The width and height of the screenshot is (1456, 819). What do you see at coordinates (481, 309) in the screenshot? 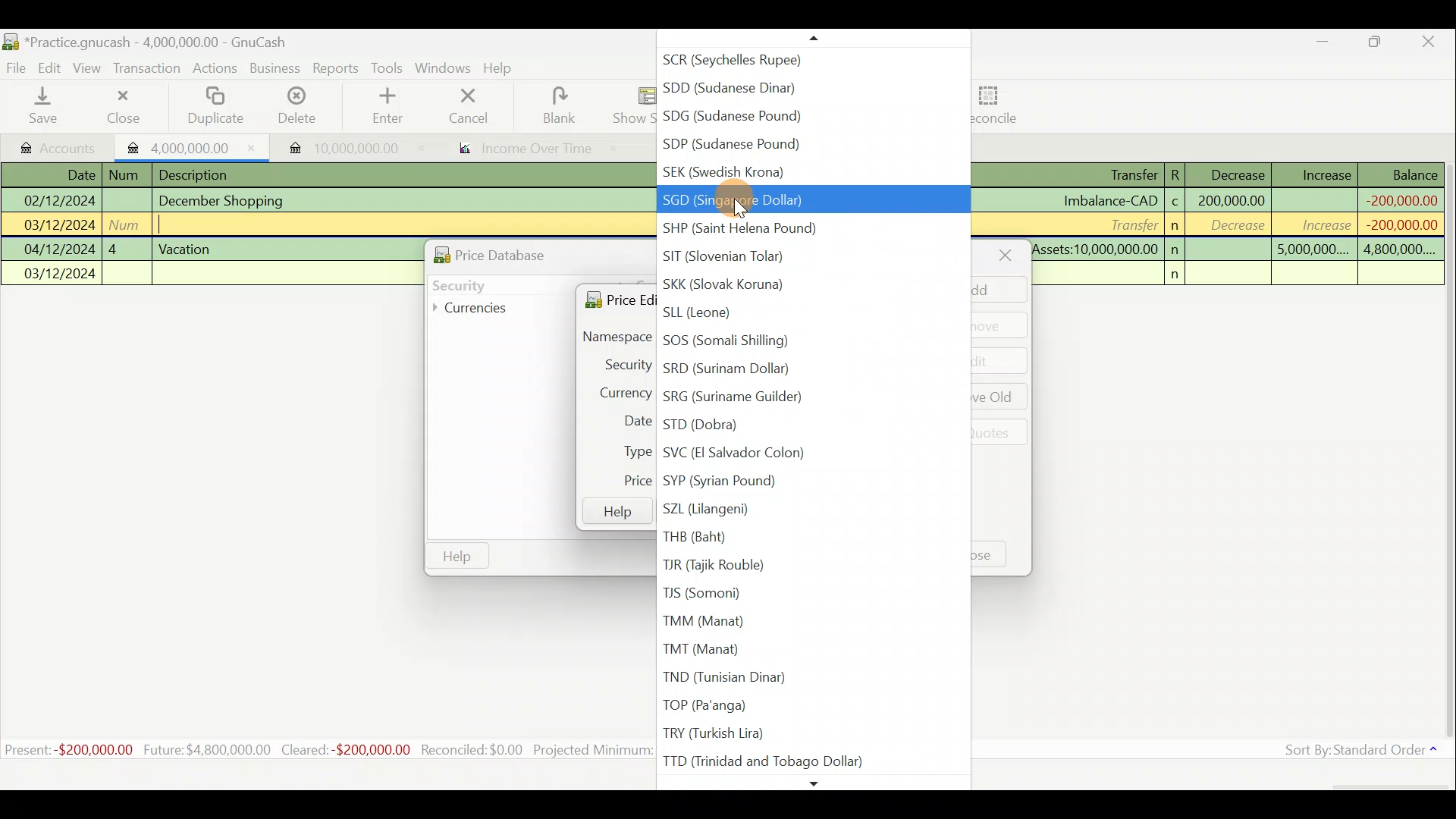
I see `Currencies` at bounding box center [481, 309].